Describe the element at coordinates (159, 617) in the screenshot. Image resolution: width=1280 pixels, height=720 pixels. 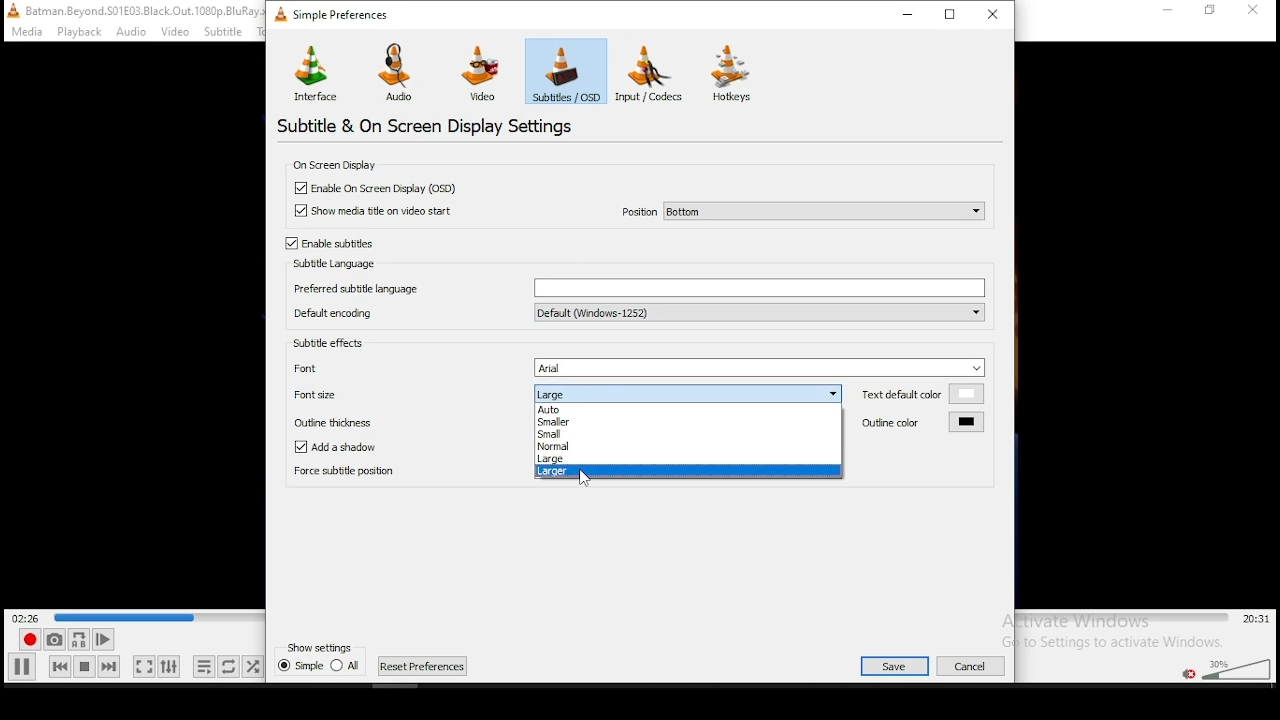
I see `seek bar` at that location.